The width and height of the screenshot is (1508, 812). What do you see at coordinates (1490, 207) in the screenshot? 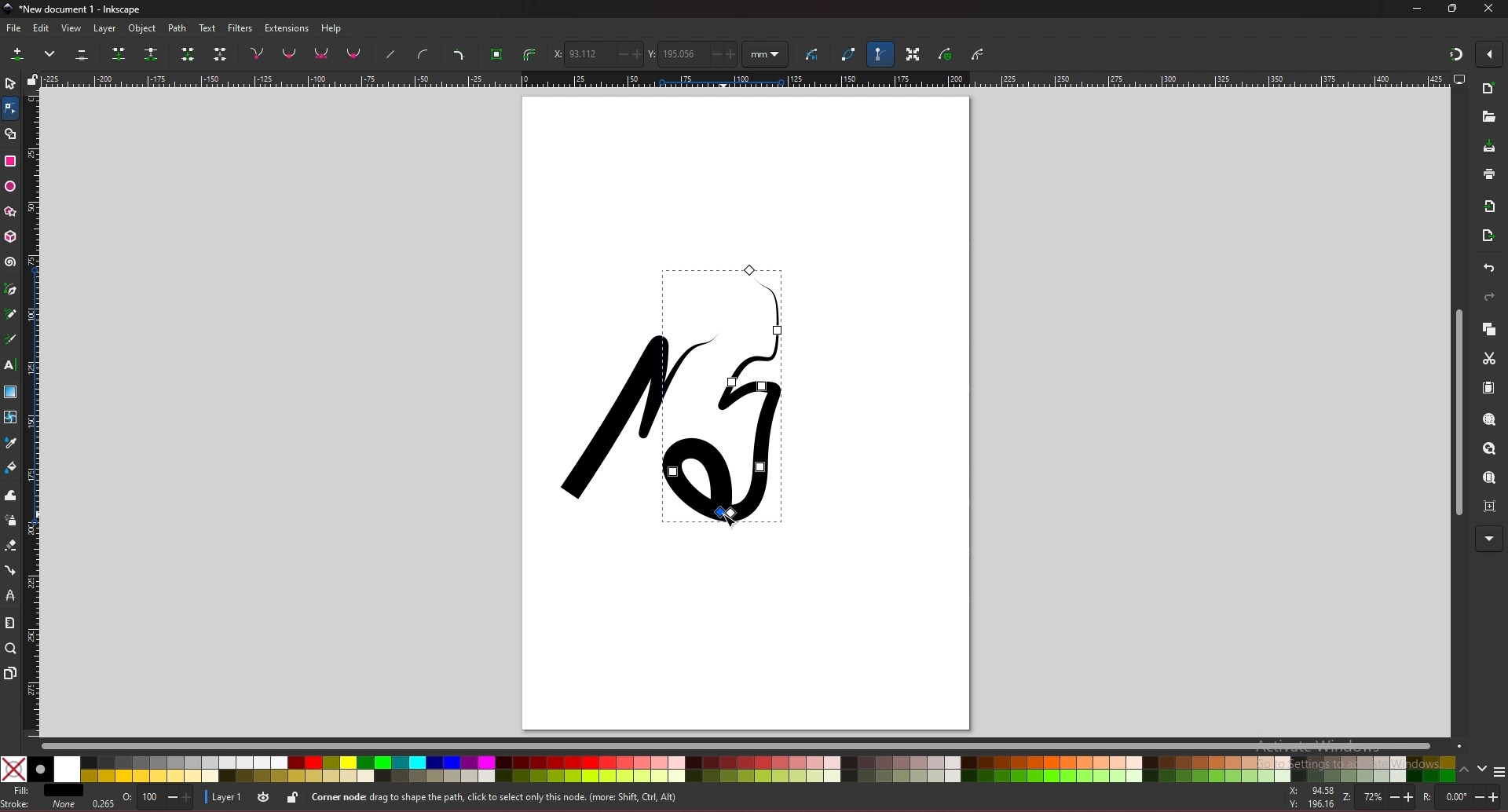
I see `import` at bounding box center [1490, 207].